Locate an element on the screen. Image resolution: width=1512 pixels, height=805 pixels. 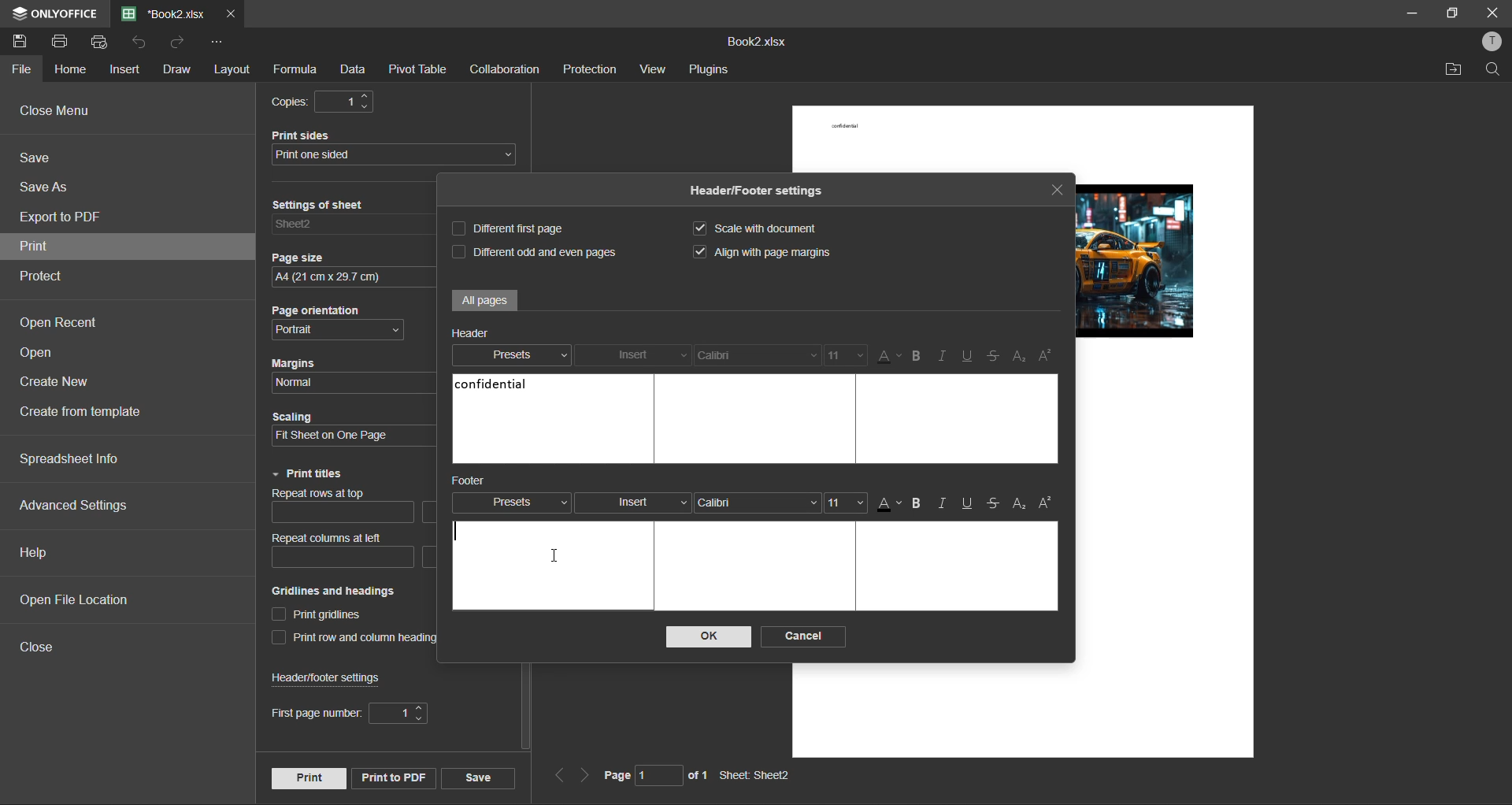
different odd and even pages is located at coordinates (534, 250).